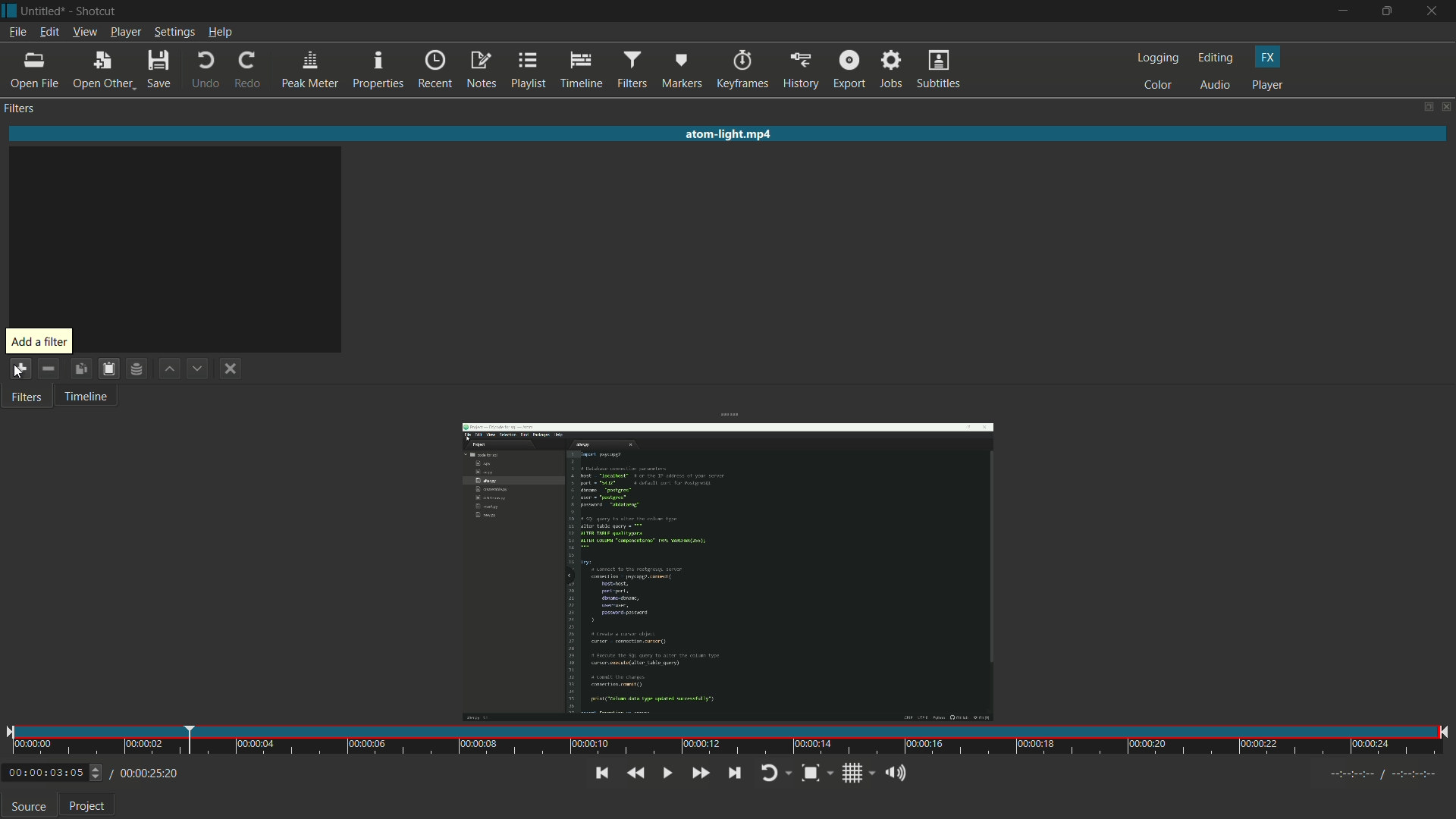 This screenshot has width=1456, height=819. What do you see at coordinates (742, 69) in the screenshot?
I see `keyframes` at bounding box center [742, 69].